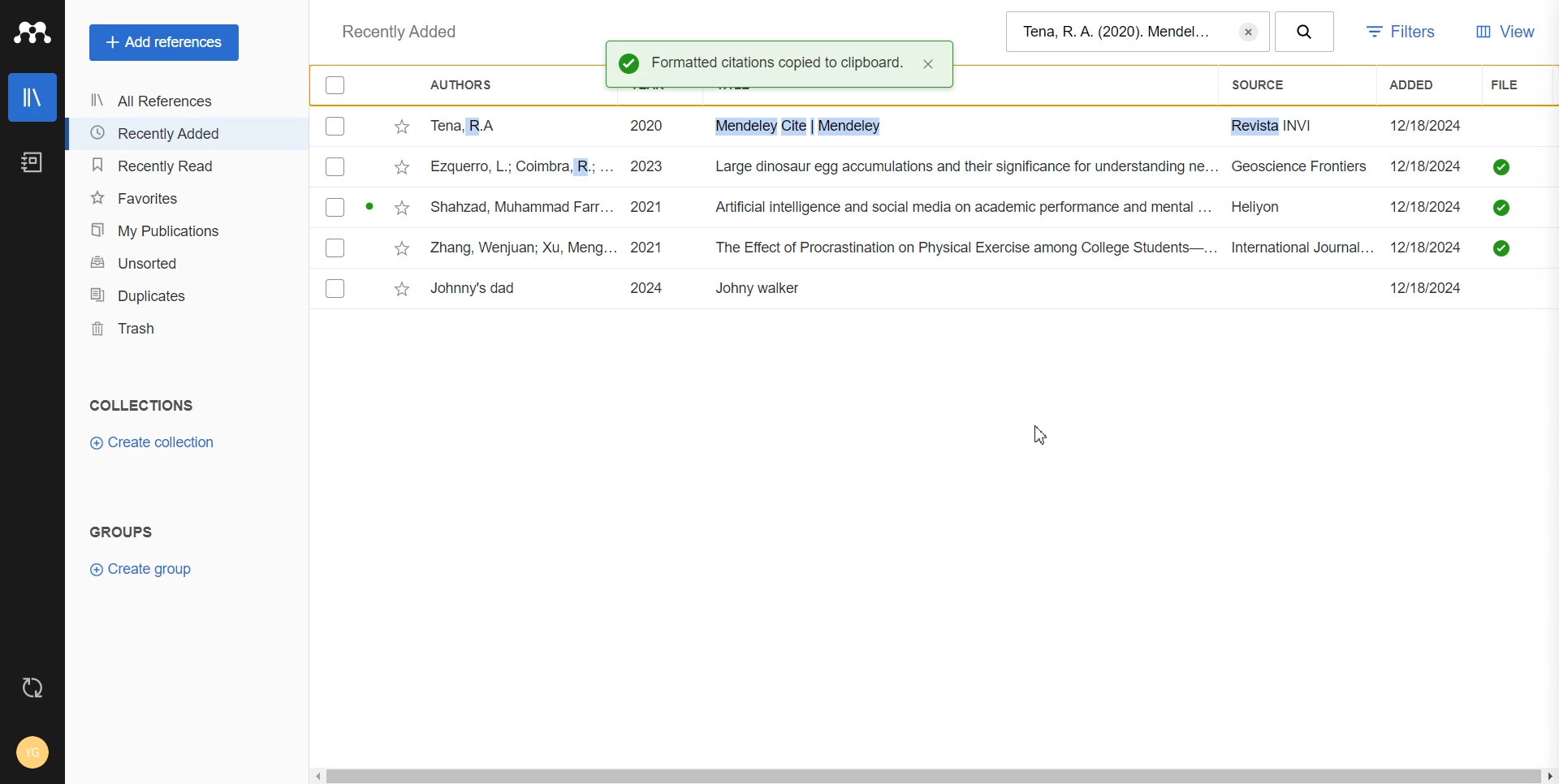 The image size is (1559, 784). What do you see at coordinates (336, 126) in the screenshot?
I see `Checkbox` at bounding box center [336, 126].